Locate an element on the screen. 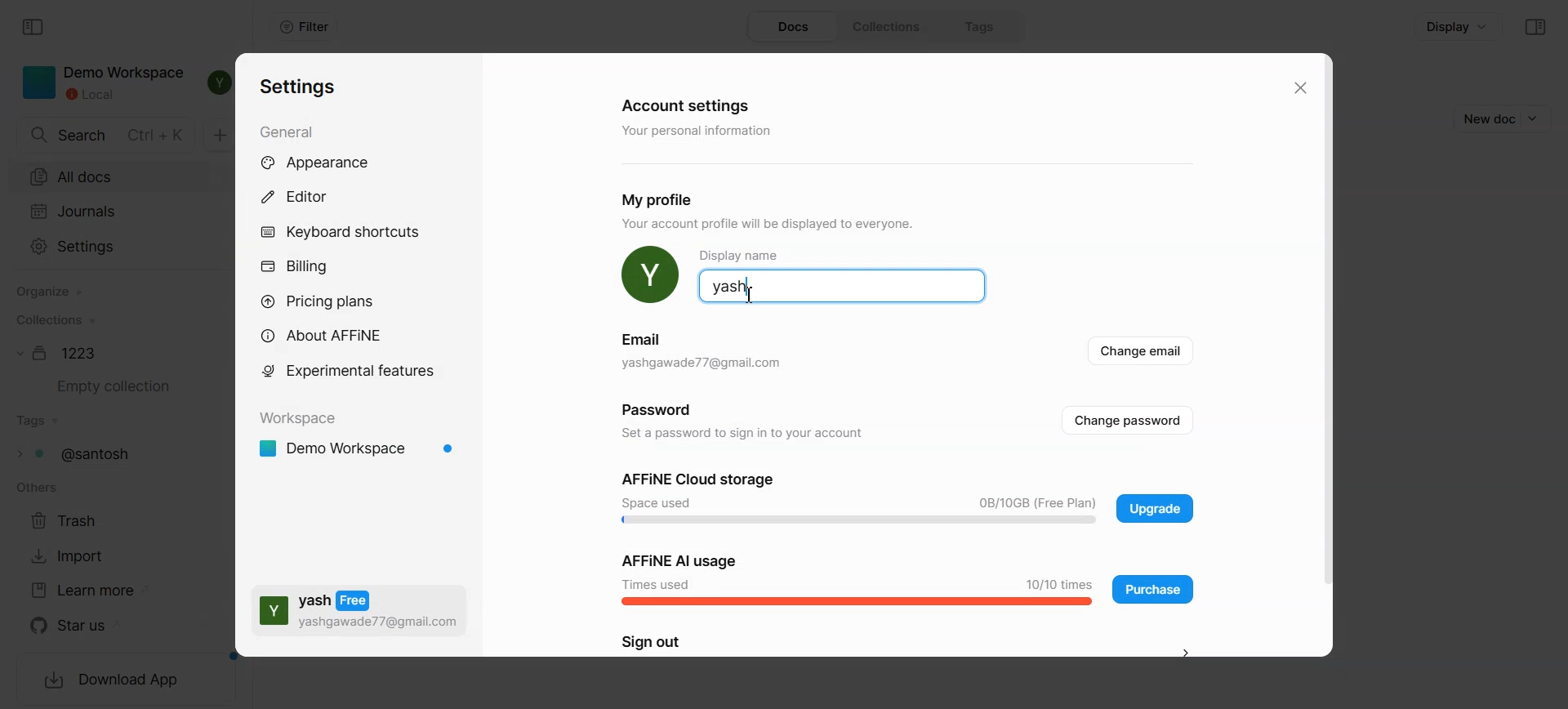  About AFFiNE is located at coordinates (327, 336).